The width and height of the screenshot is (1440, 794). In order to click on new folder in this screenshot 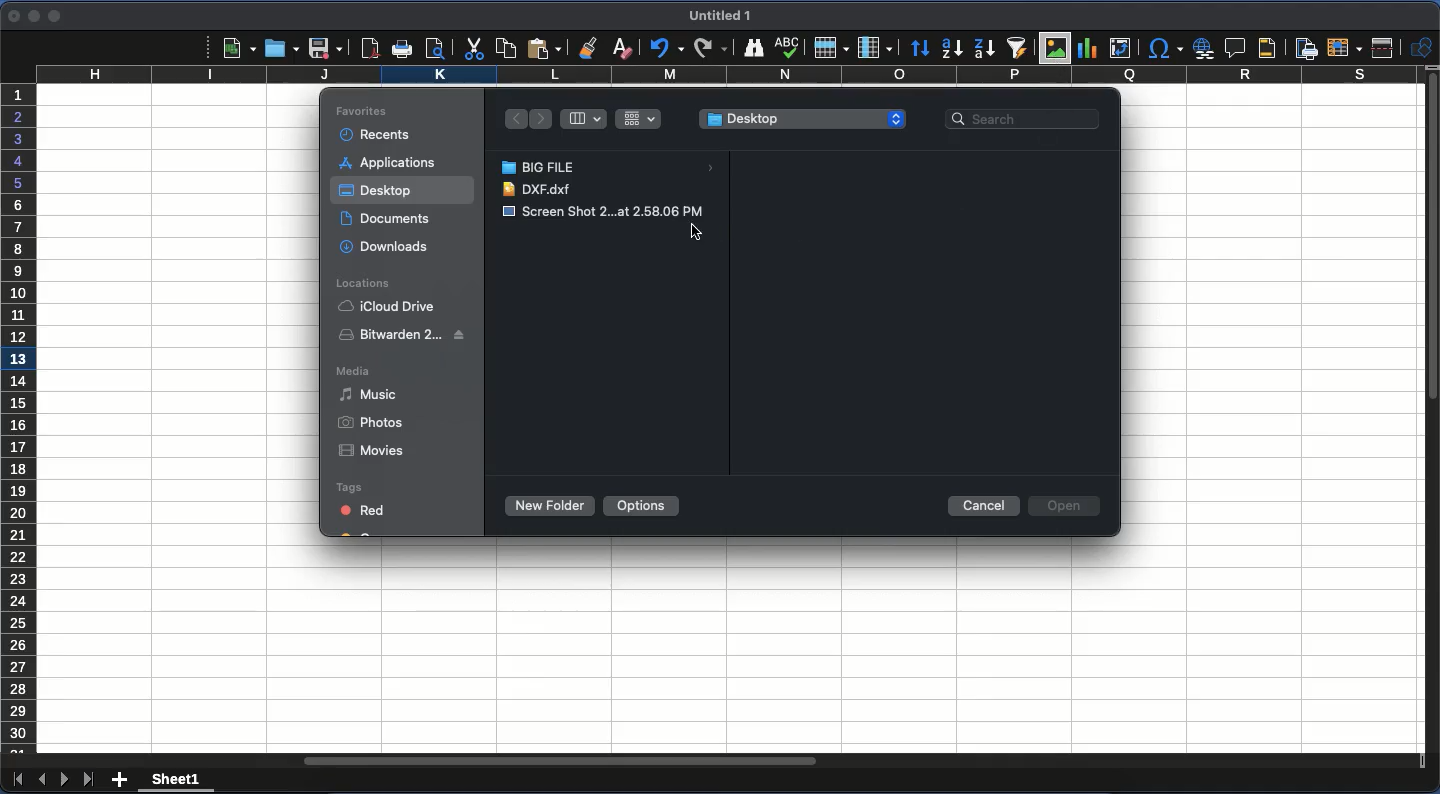, I will do `click(553, 506)`.